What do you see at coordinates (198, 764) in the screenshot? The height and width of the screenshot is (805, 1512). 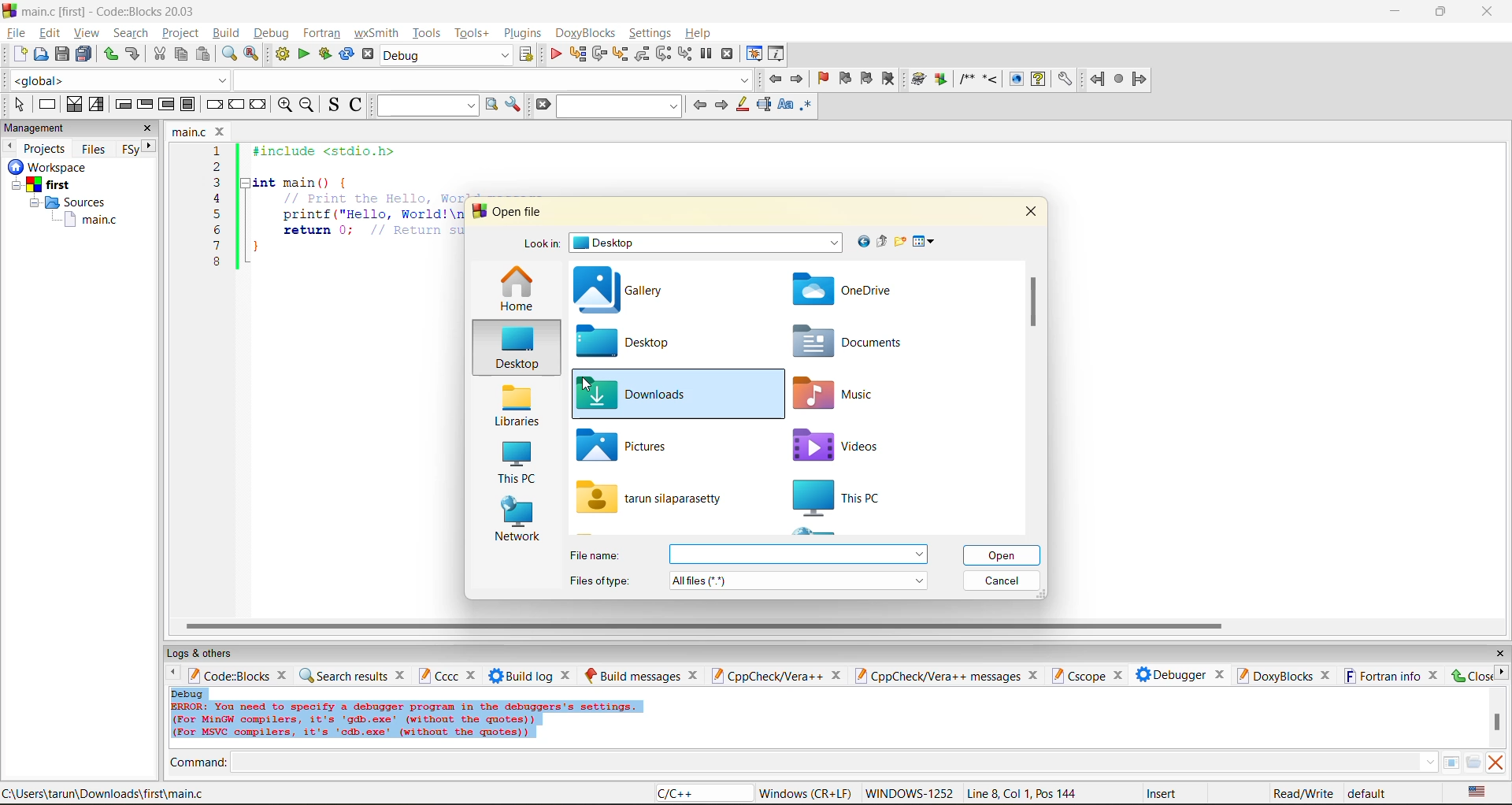 I see `command` at bounding box center [198, 764].